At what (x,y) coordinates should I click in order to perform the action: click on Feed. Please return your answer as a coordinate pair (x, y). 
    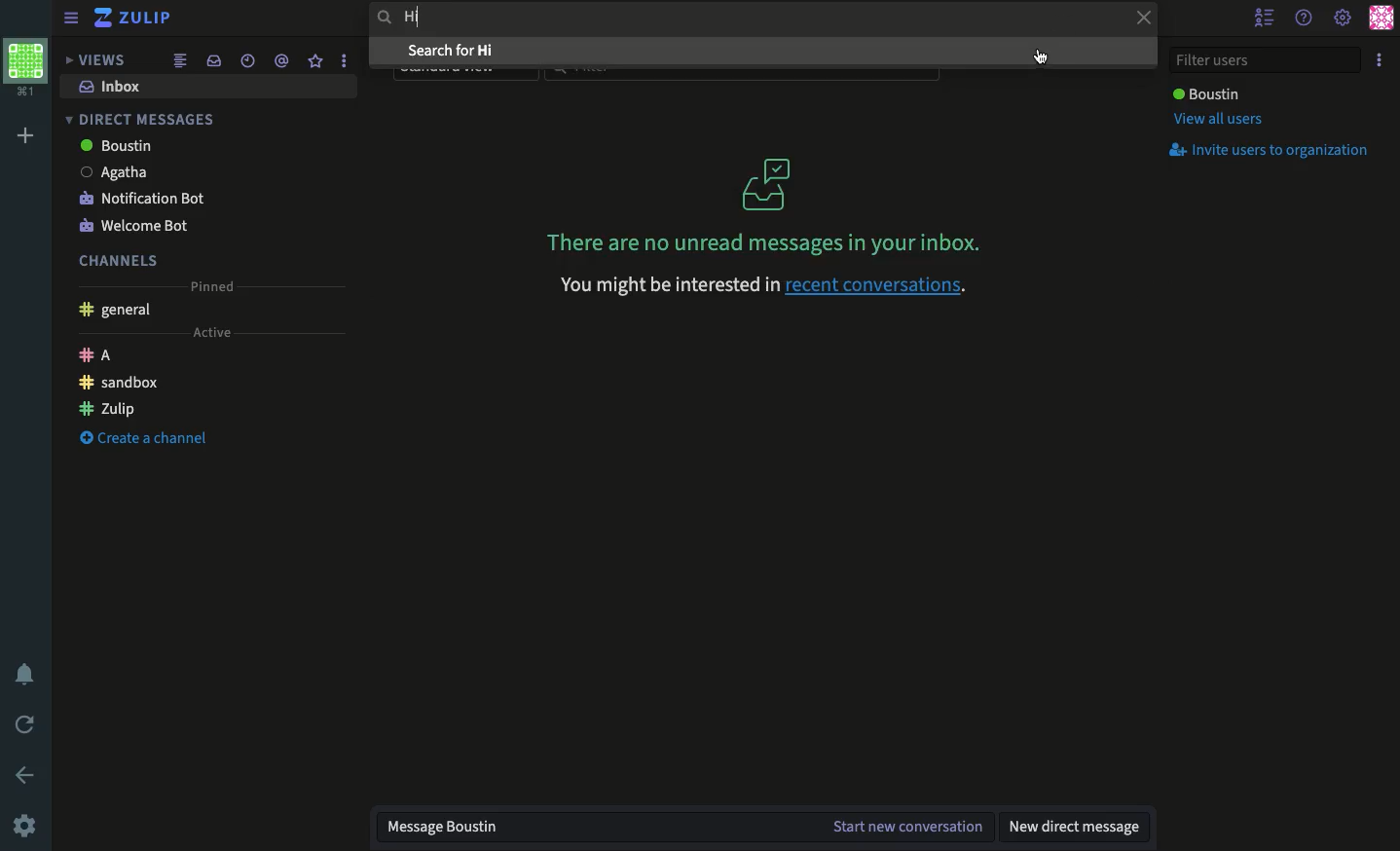
    Looking at the image, I should click on (178, 62).